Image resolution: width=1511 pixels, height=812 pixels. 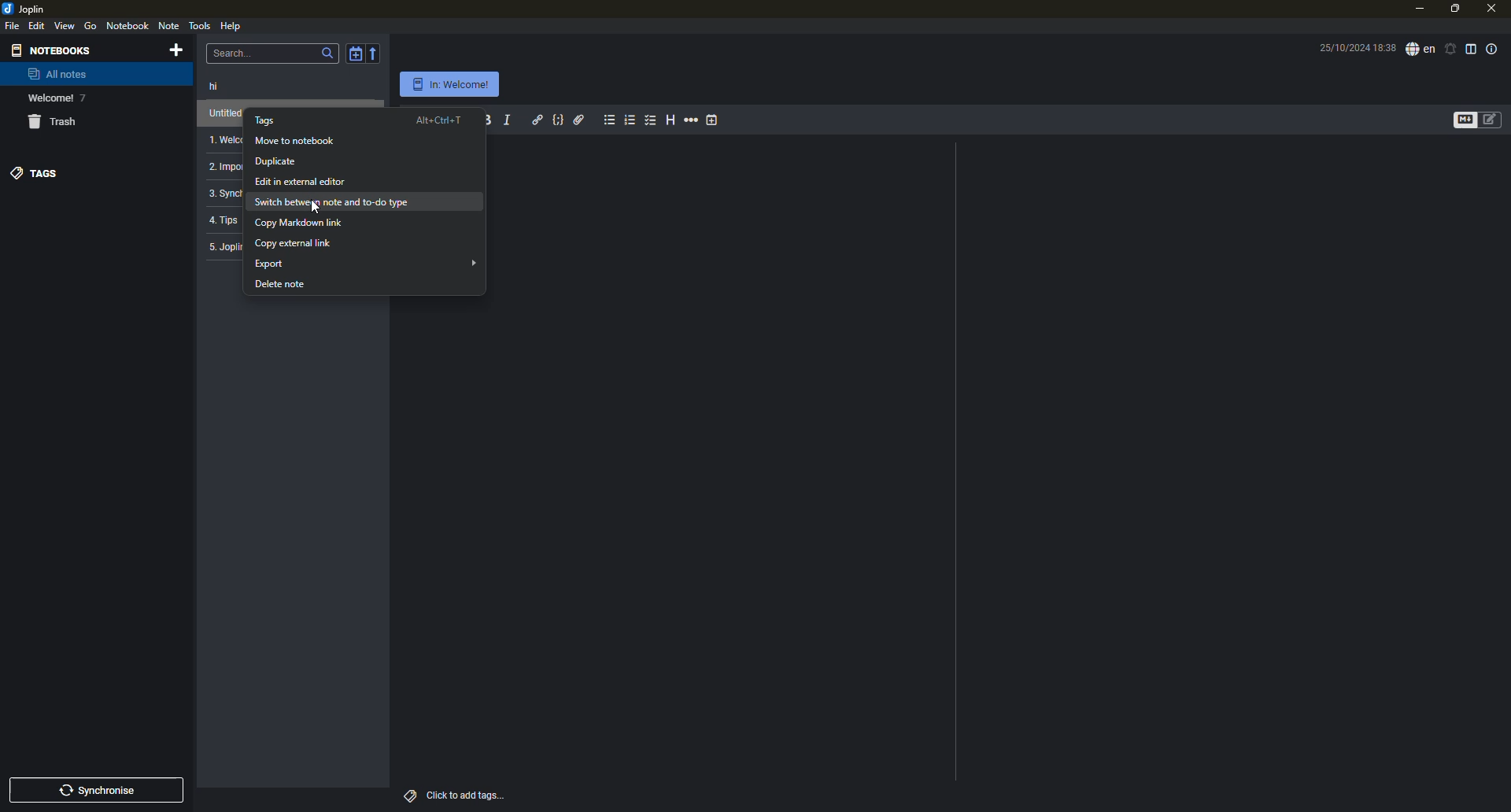 I want to click on toggle sort order field, so click(x=353, y=52).